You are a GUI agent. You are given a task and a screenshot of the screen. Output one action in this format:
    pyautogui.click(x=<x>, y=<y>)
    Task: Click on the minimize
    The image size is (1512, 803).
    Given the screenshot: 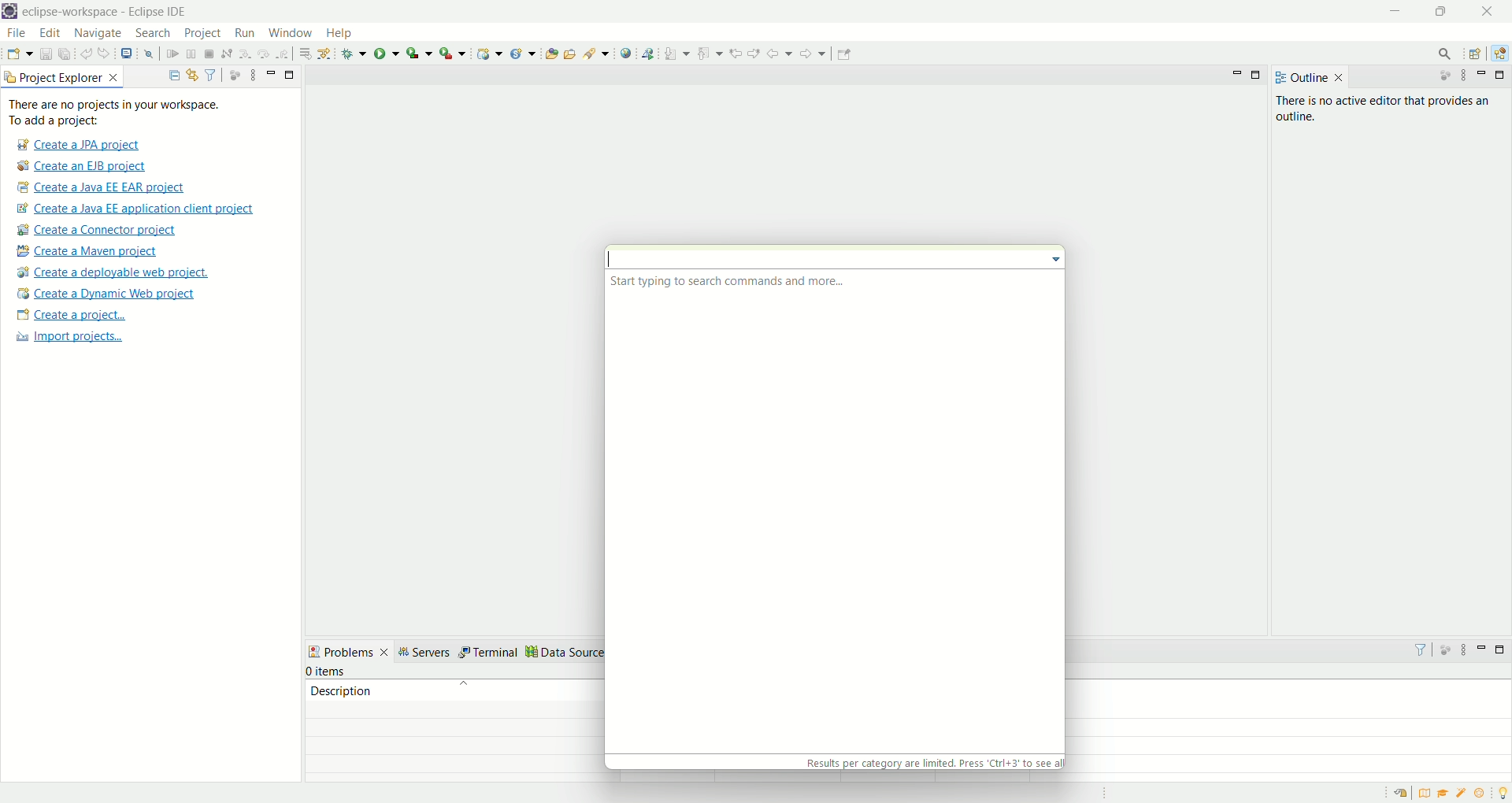 What is the action you would take?
    pyautogui.click(x=1237, y=74)
    